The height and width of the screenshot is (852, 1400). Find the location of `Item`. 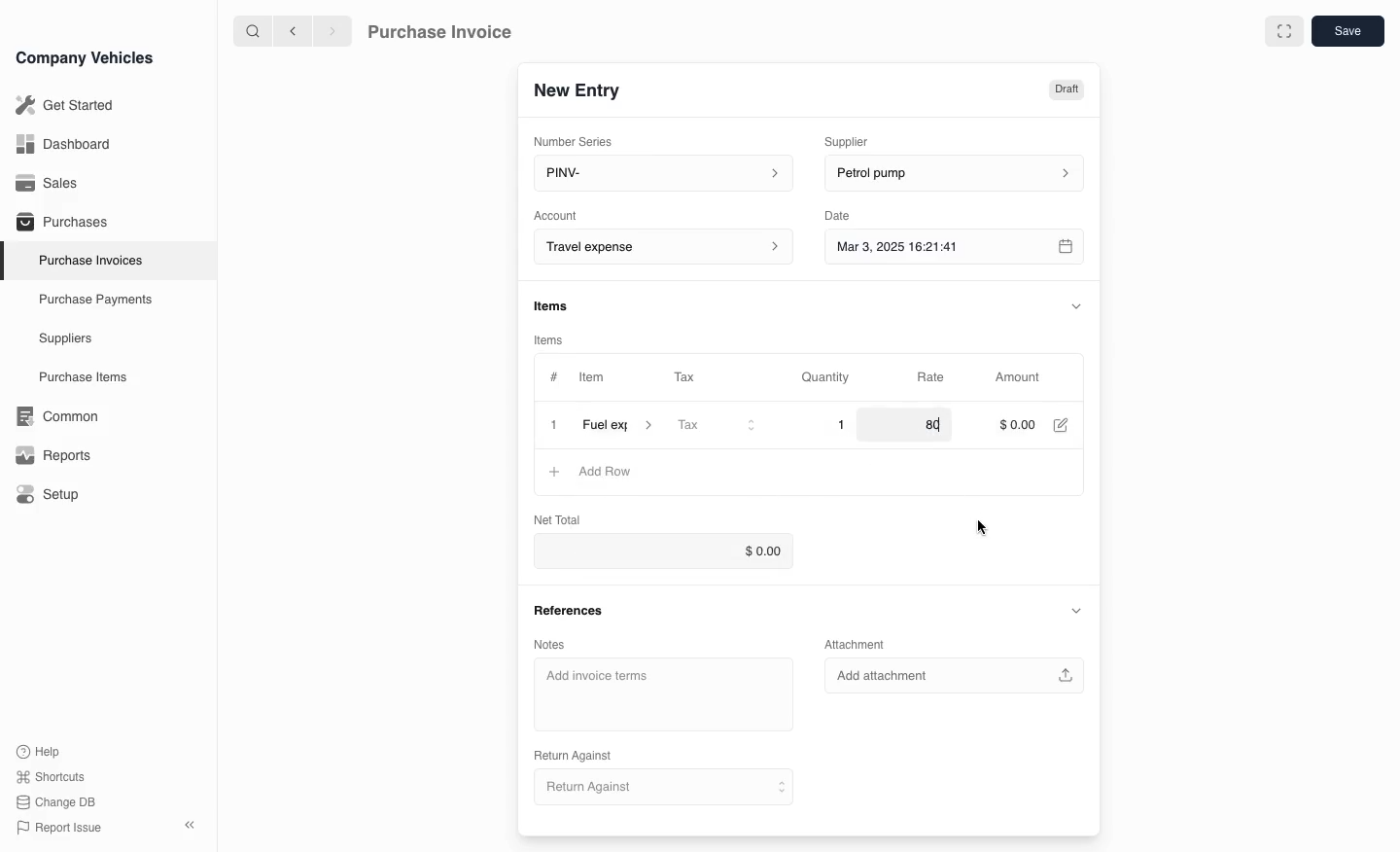

Item is located at coordinates (590, 379).